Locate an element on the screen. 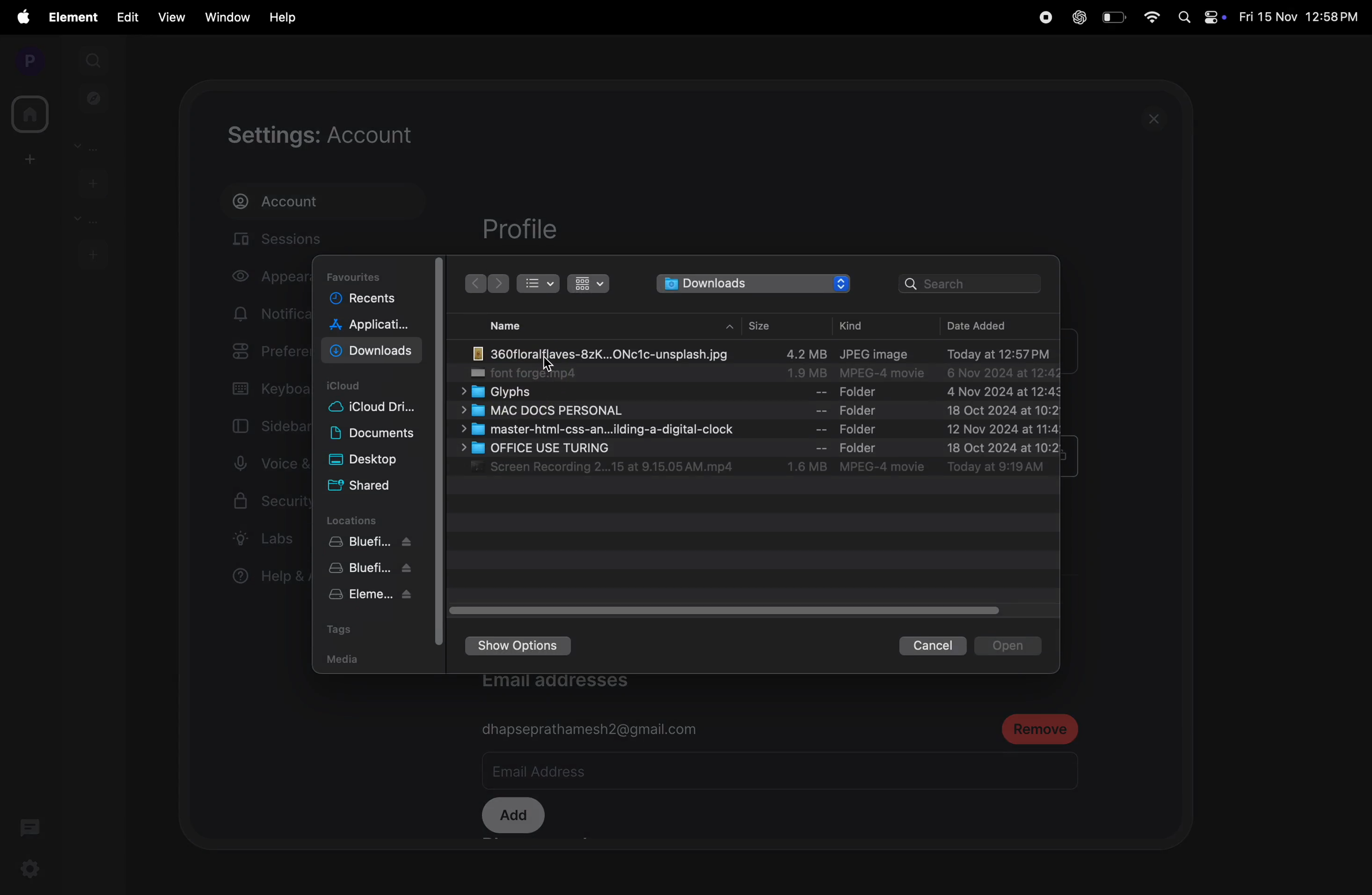 The width and height of the screenshot is (1372, 895). applications is located at coordinates (372, 326).